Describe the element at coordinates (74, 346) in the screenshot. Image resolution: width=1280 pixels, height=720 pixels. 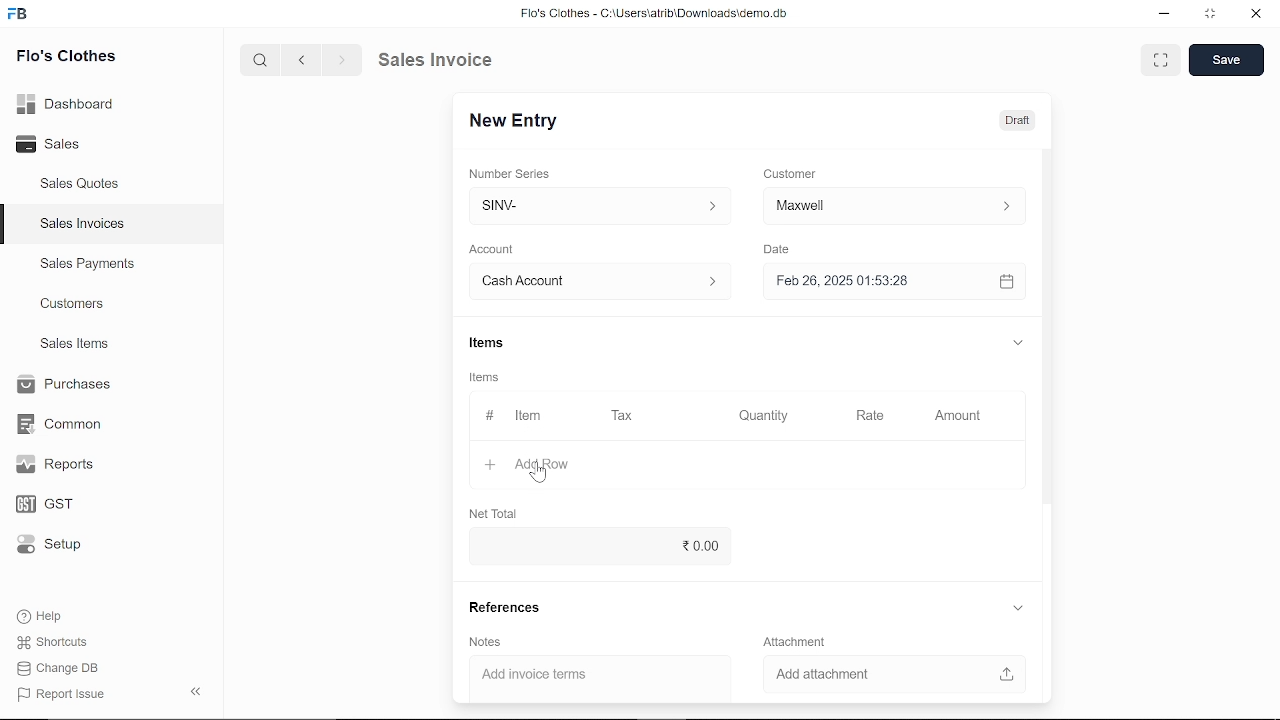
I see `Sales Items` at that location.